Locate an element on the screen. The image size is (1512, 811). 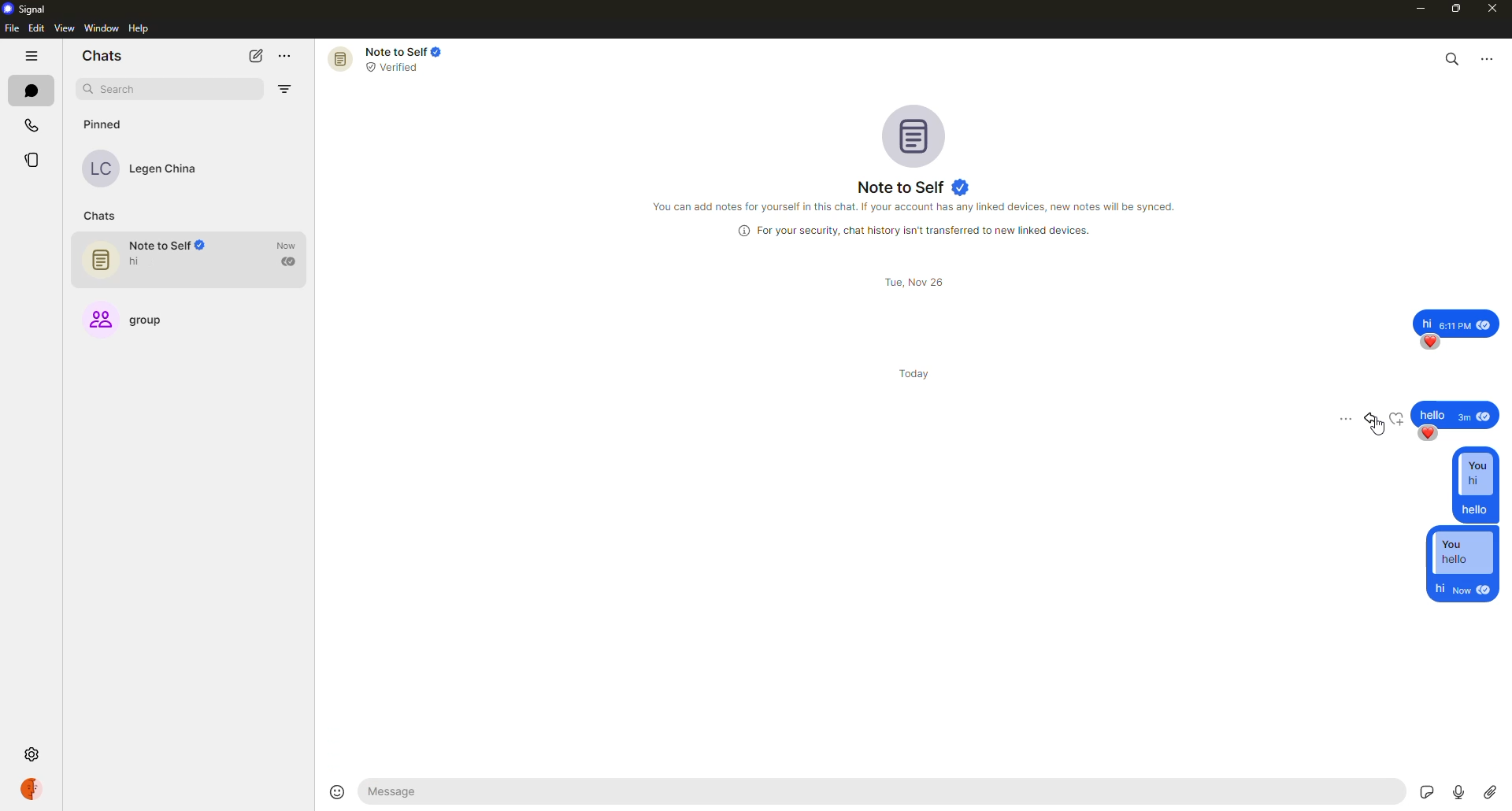
message is located at coordinates (1457, 414).